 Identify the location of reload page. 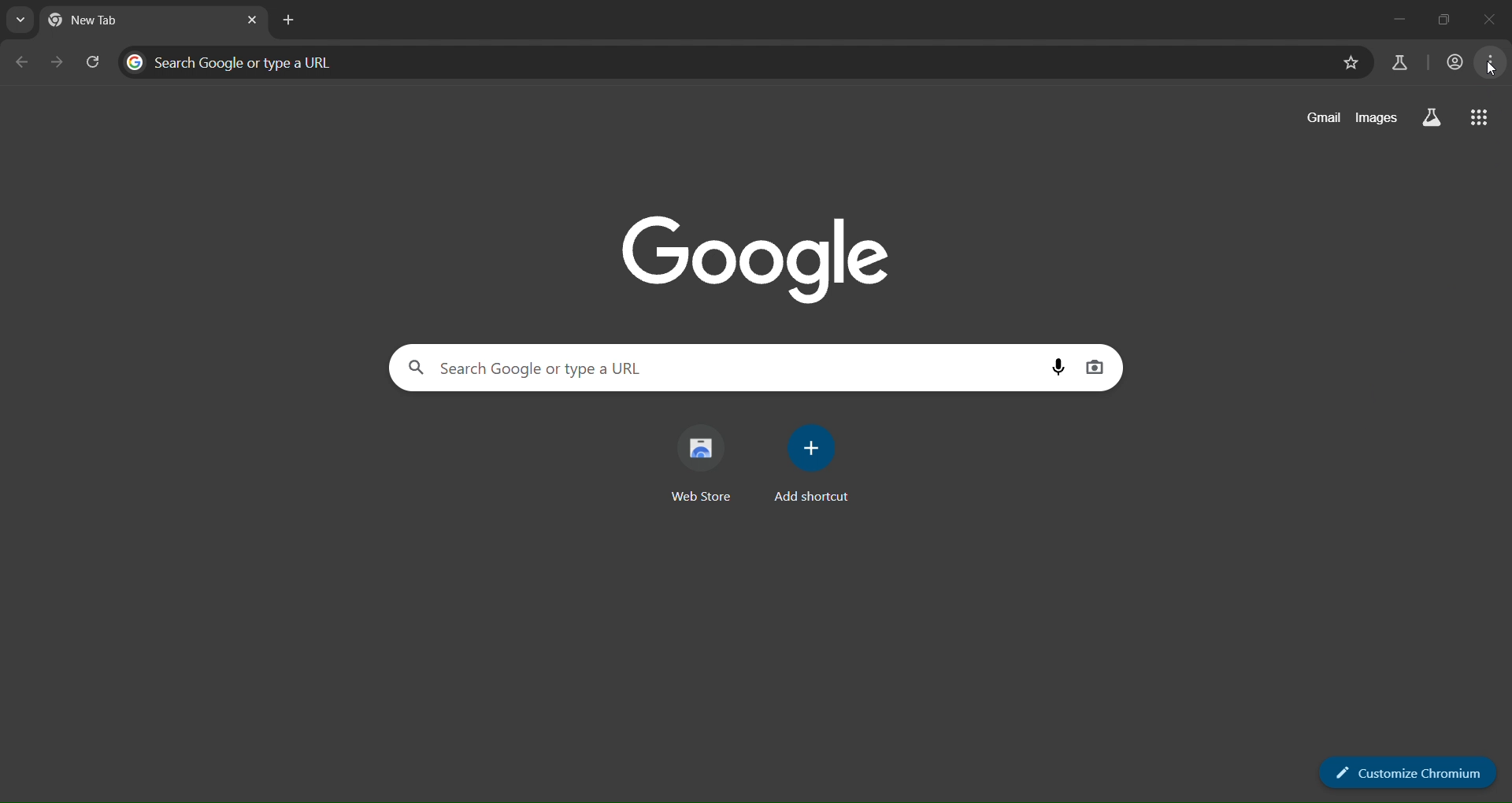
(95, 61).